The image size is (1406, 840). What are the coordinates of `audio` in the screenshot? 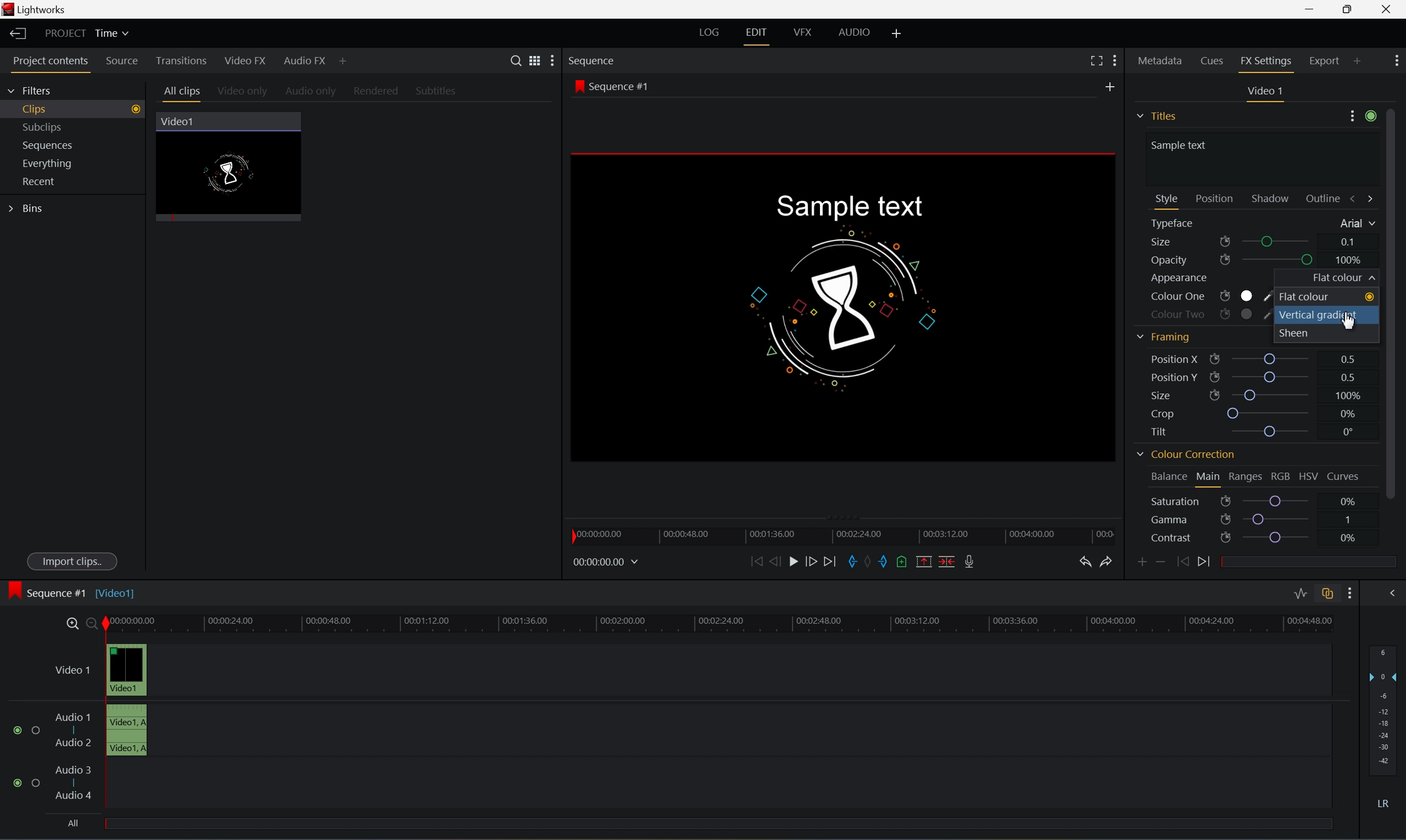 It's located at (860, 32).